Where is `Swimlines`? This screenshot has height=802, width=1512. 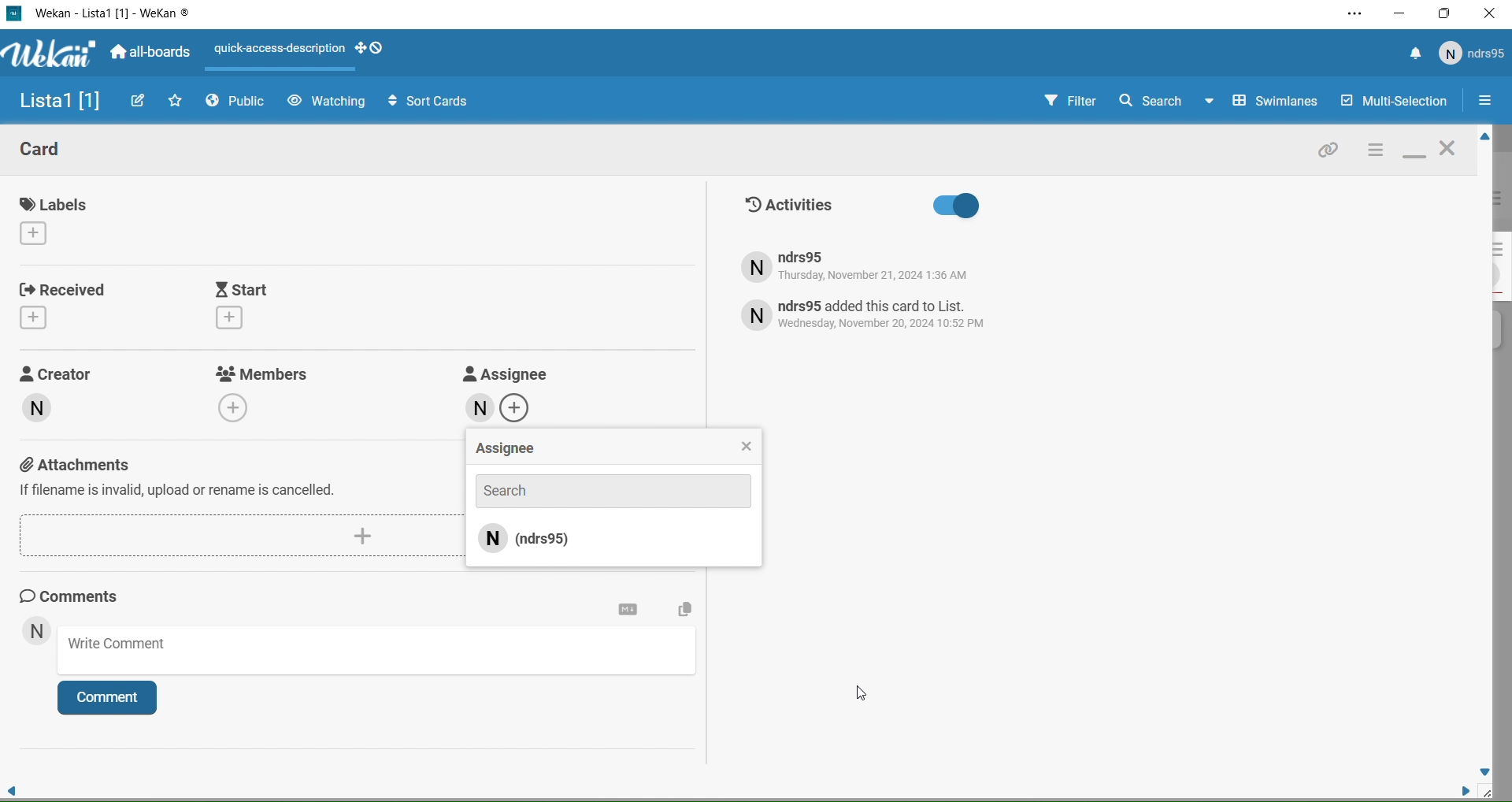 Swimlines is located at coordinates (1265, 102).